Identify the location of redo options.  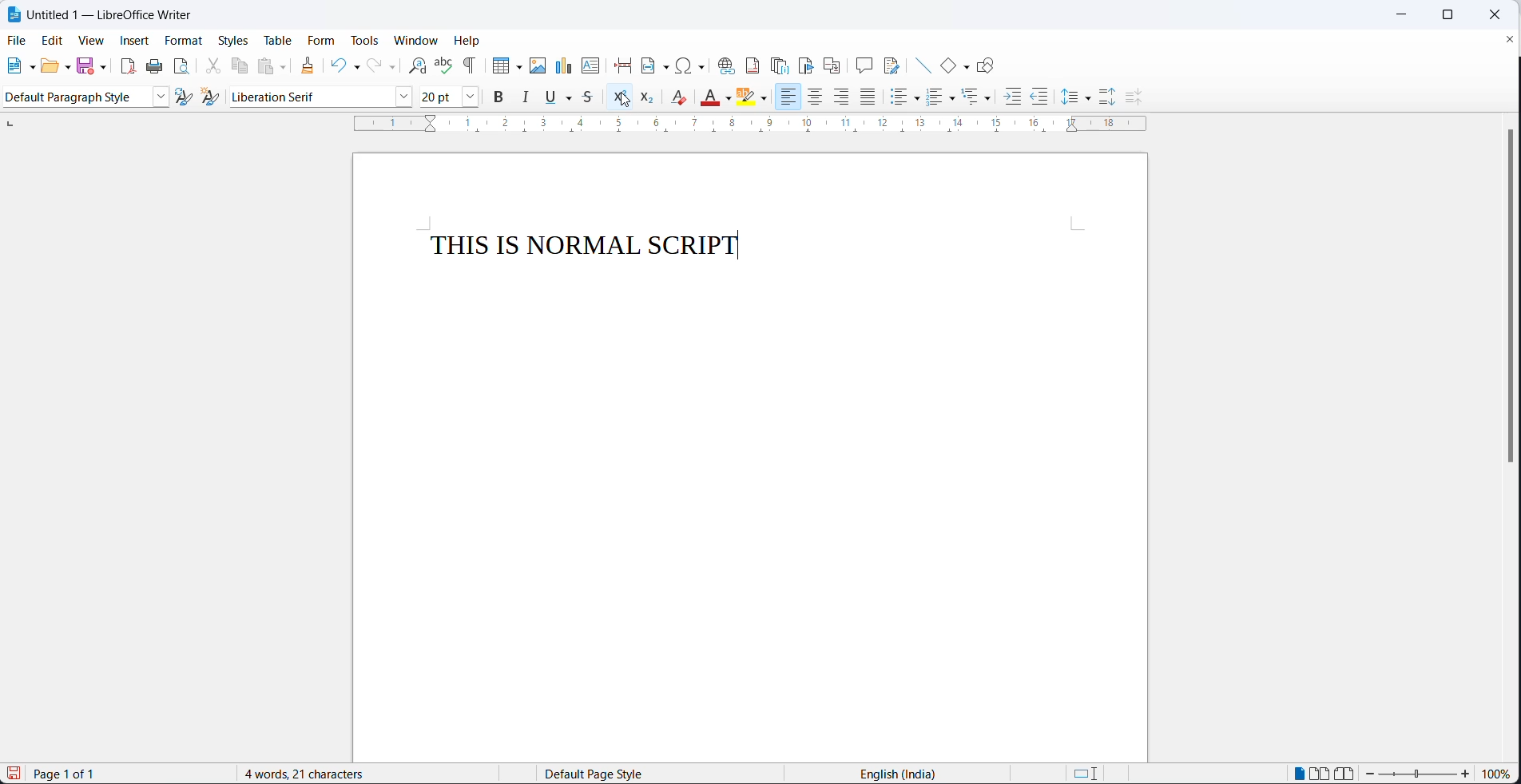
(392, 67).